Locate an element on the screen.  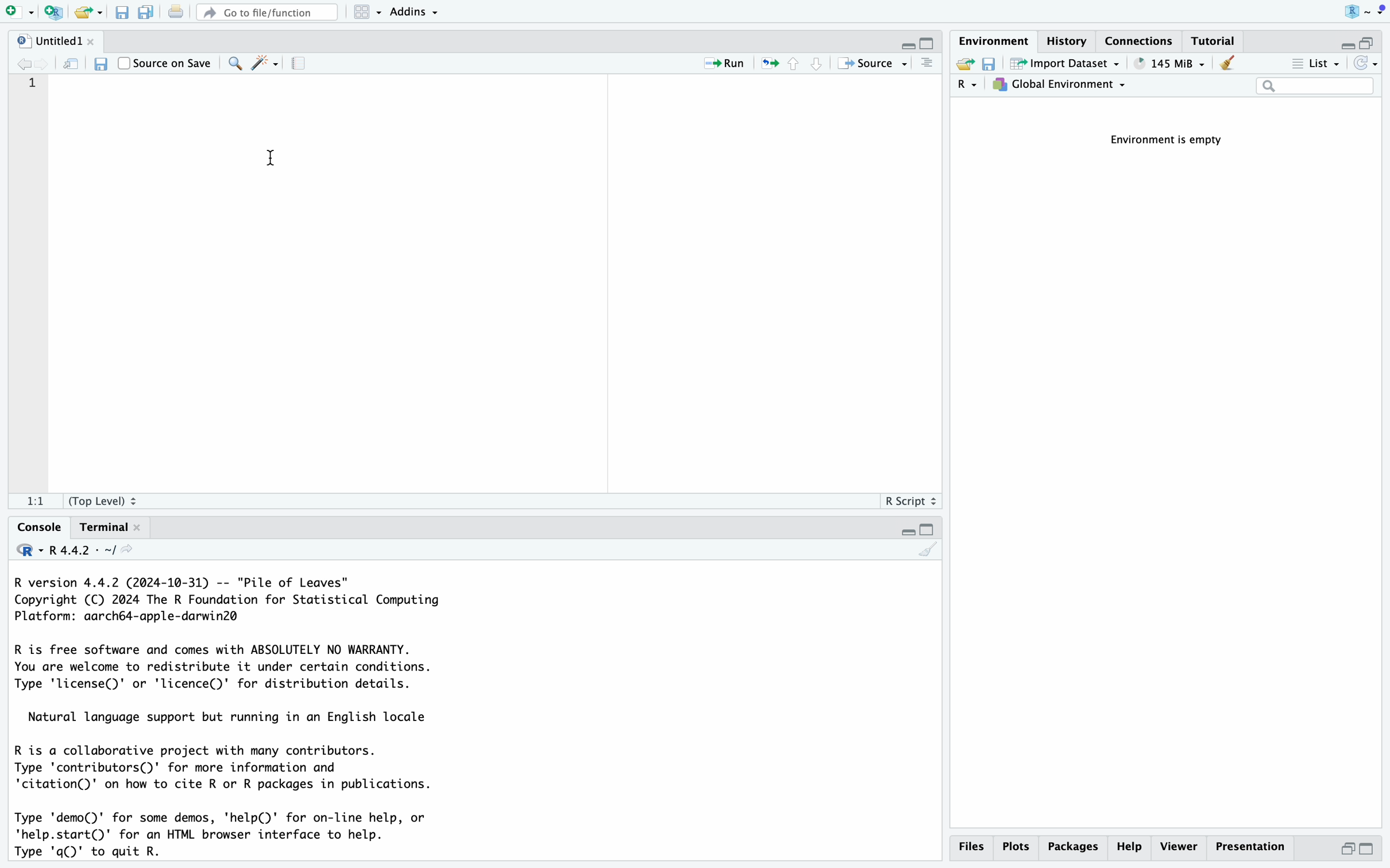
presentation is located at coordinates (1256, 850).